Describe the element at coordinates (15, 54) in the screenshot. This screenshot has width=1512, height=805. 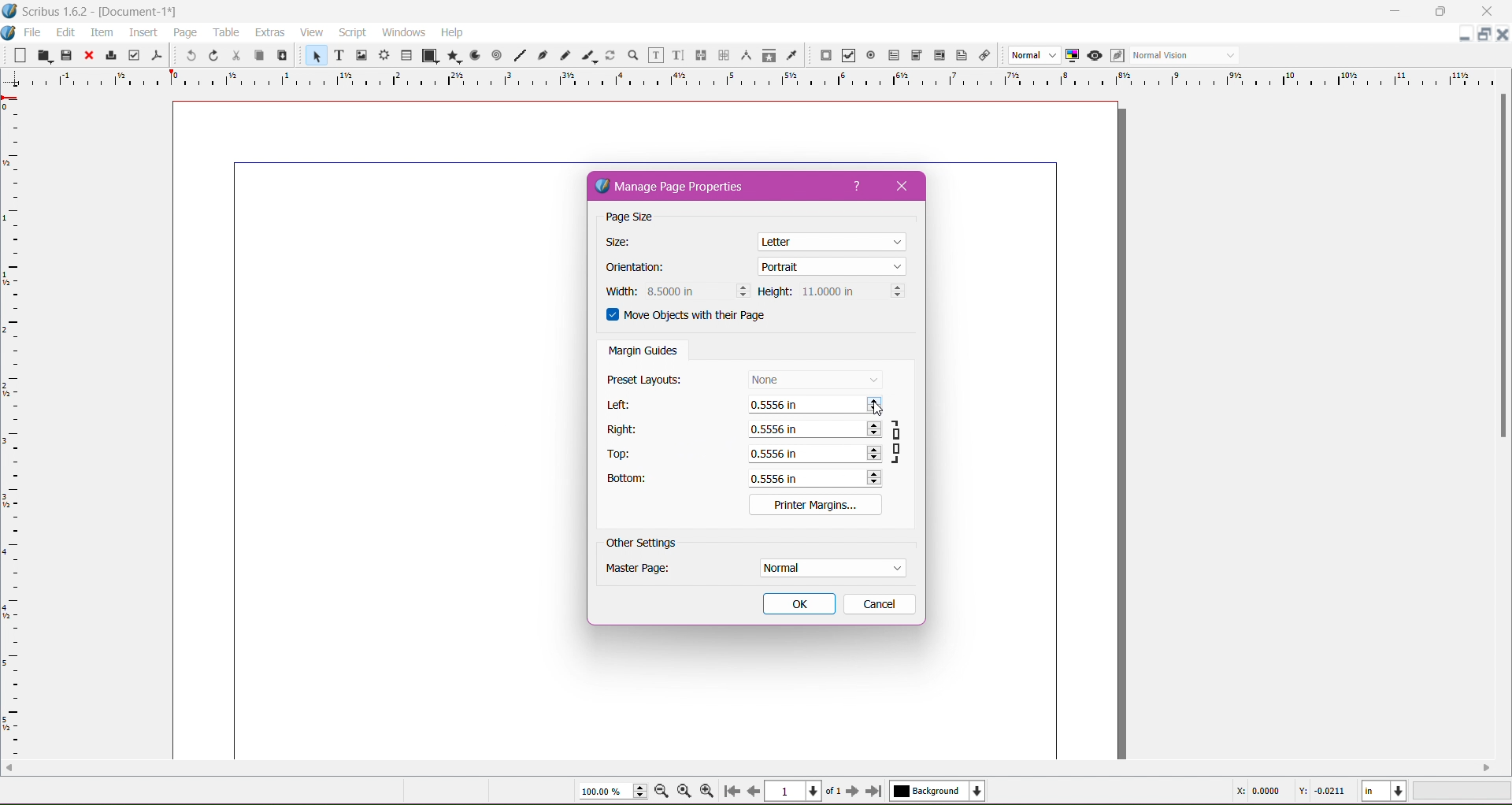
I see `New` at that location.